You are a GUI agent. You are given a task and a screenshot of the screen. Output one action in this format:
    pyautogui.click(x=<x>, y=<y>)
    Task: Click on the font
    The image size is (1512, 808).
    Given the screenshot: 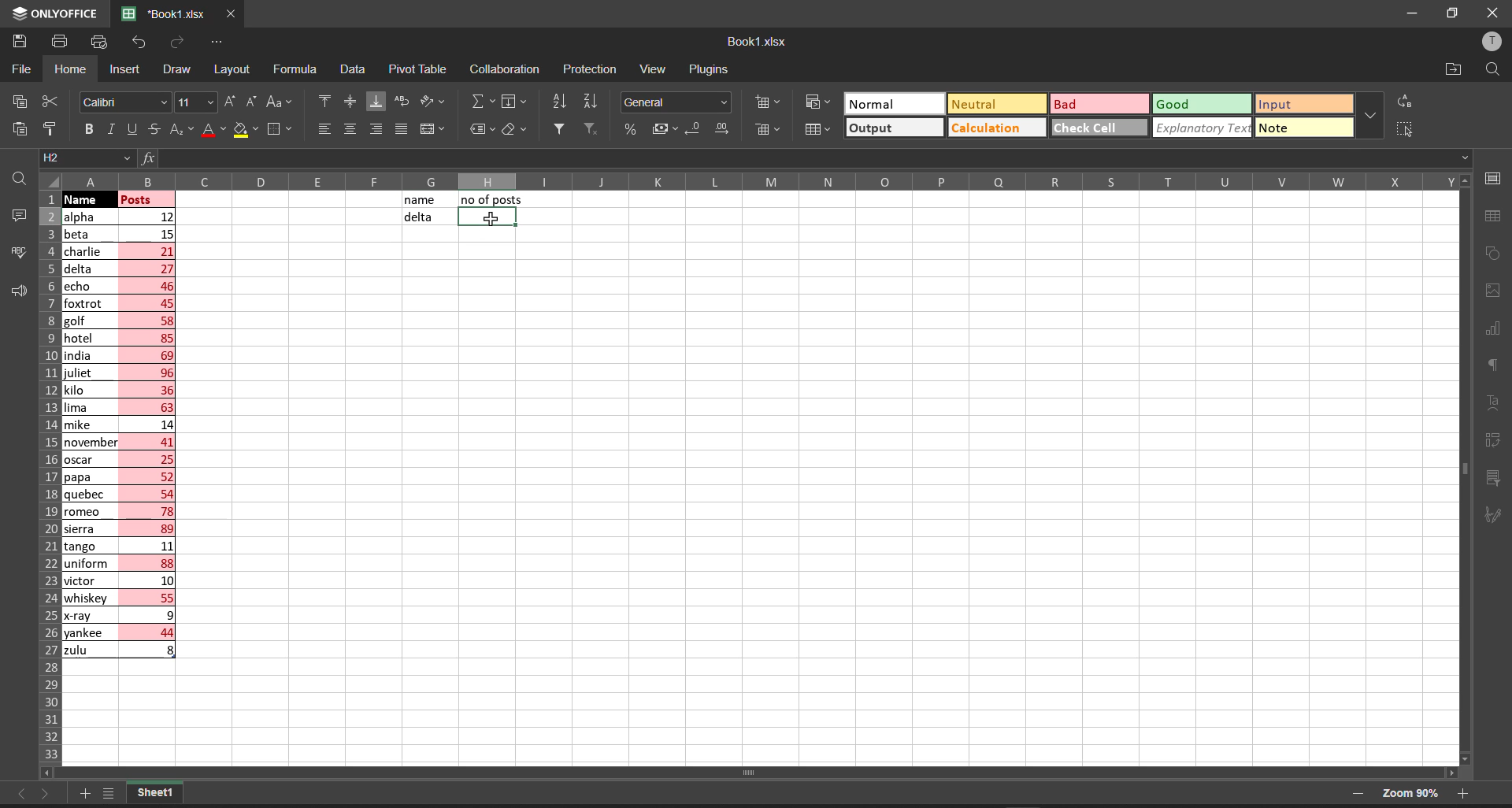 What is the action you would take?
    pyautogui.click(x=124, y=101)
    